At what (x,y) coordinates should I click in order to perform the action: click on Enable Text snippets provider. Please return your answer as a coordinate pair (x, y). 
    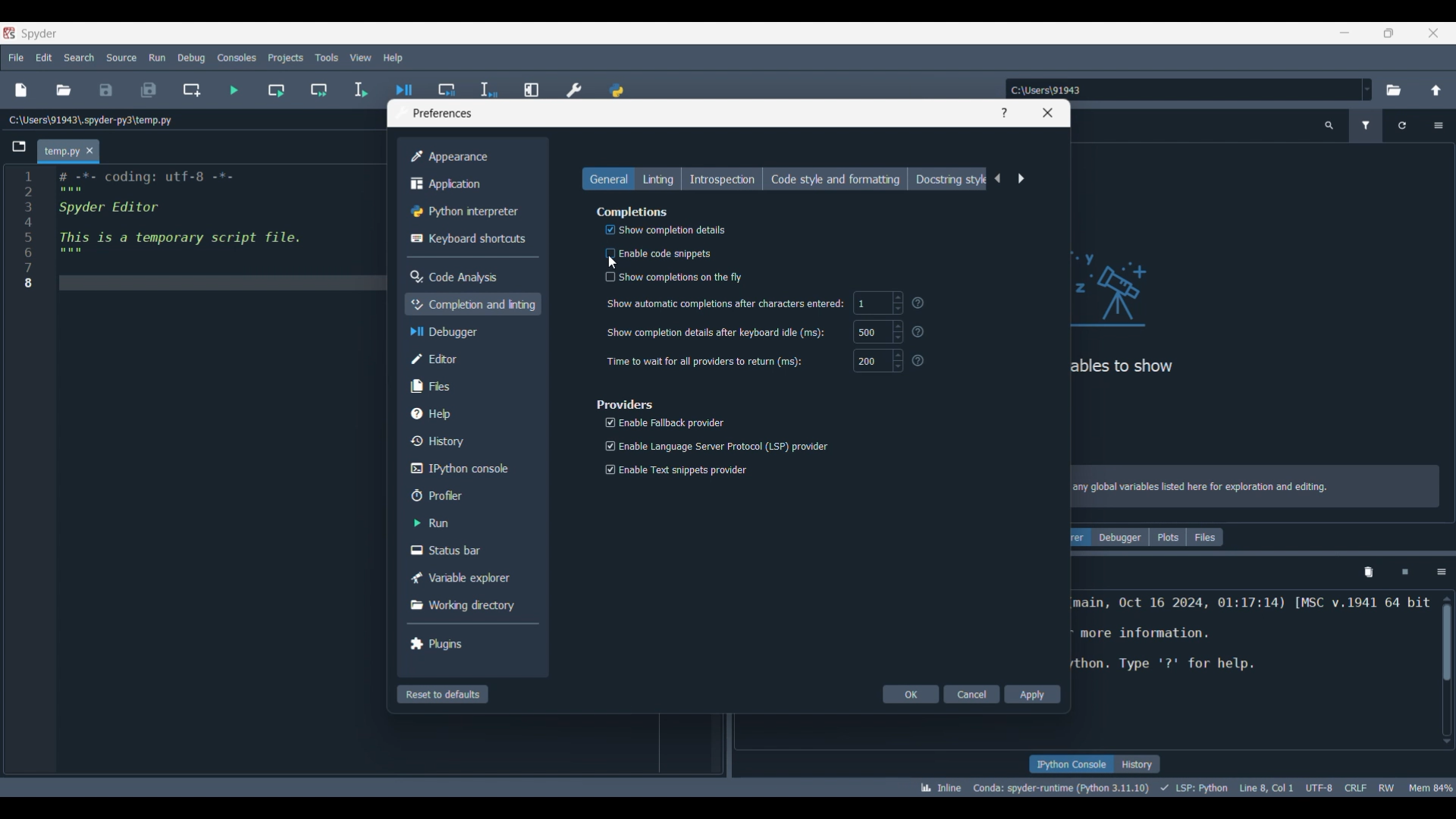
    Looking at the image, I should click on (676, 472).